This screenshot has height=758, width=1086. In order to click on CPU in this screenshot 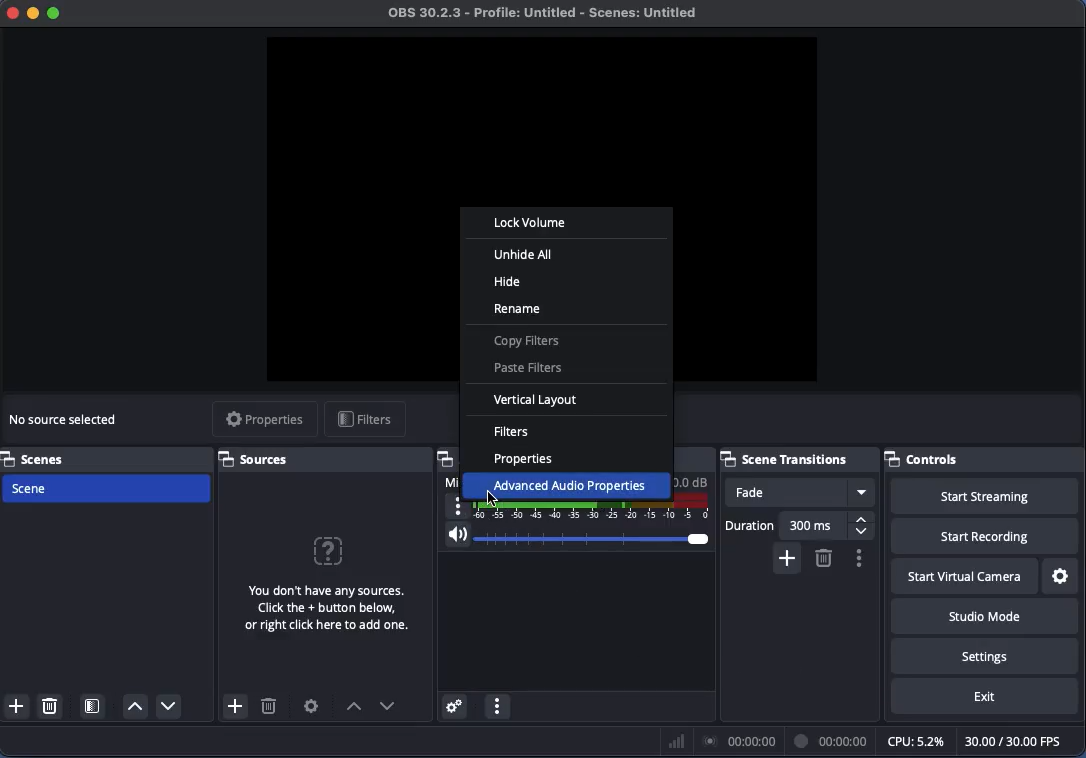, I will do `click(914, 740)`.